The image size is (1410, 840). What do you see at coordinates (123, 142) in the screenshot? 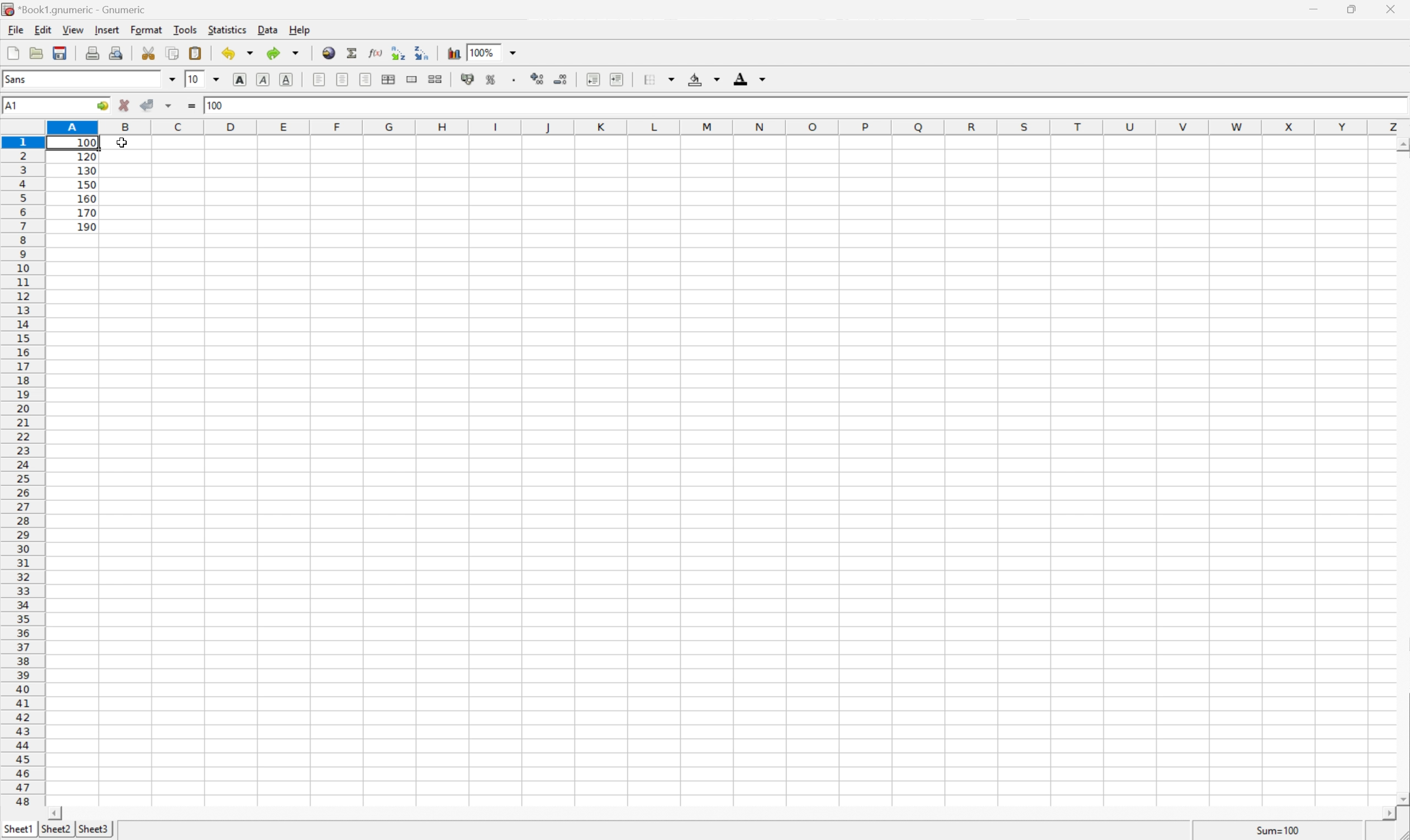
I see `Cursor` at bounding box center [123, 142].